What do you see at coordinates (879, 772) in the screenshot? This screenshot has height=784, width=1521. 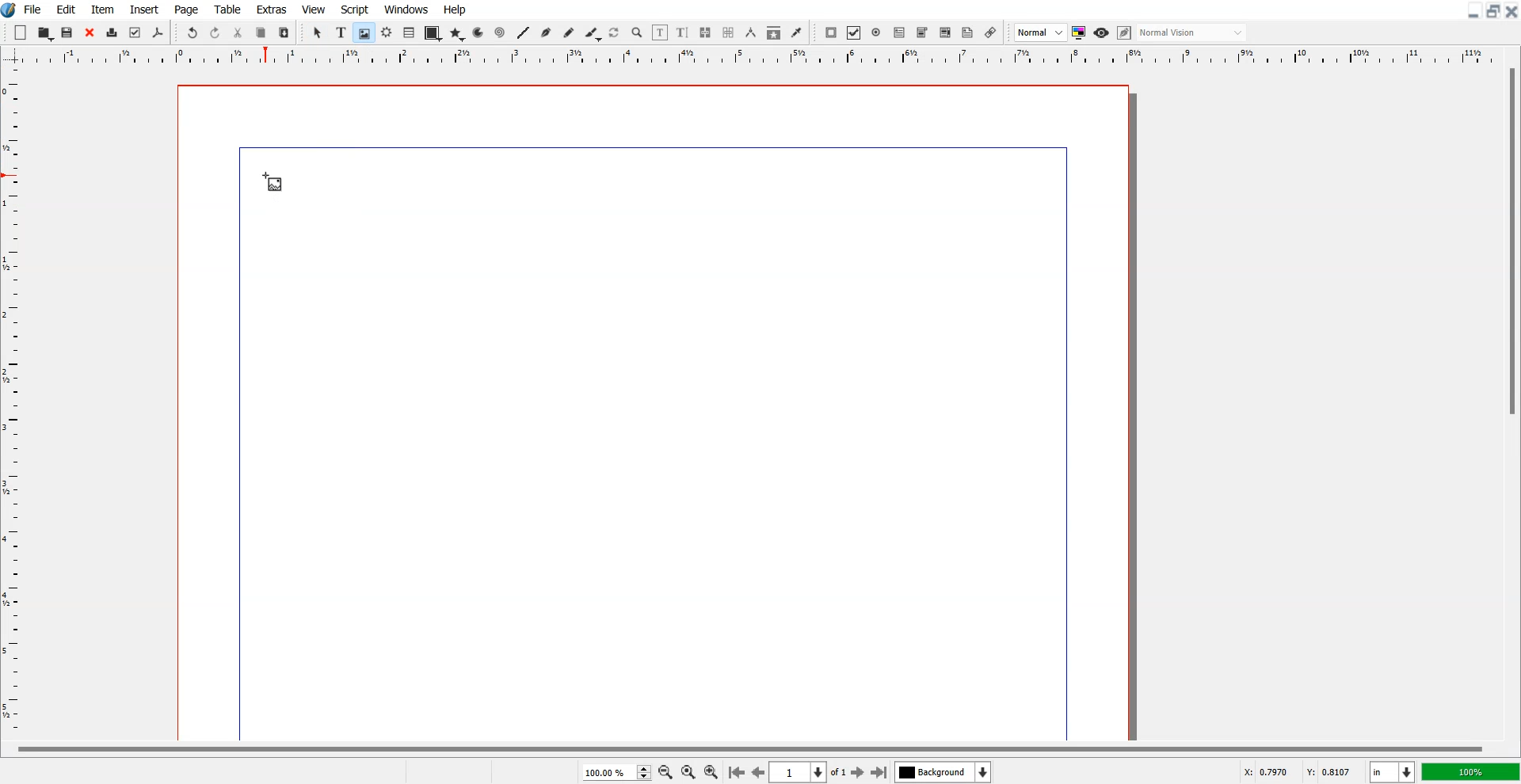 I see `Go to last Page` at bounding box center [879, 772].